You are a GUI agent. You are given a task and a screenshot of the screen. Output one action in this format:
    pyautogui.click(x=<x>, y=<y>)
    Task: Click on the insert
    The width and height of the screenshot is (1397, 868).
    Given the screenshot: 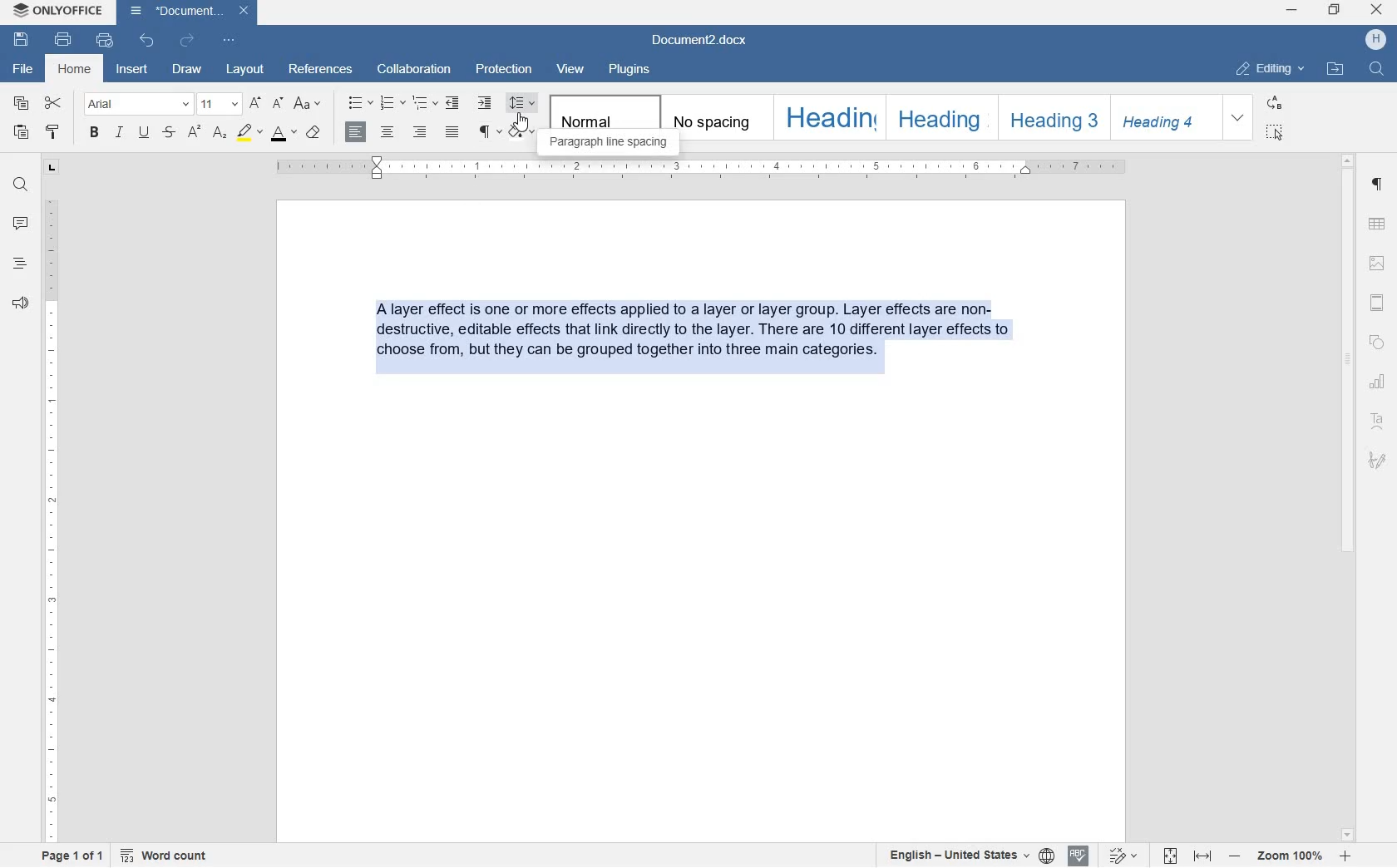 What is the action you would take?
    pyautogui.click(x=133, y=69)
    